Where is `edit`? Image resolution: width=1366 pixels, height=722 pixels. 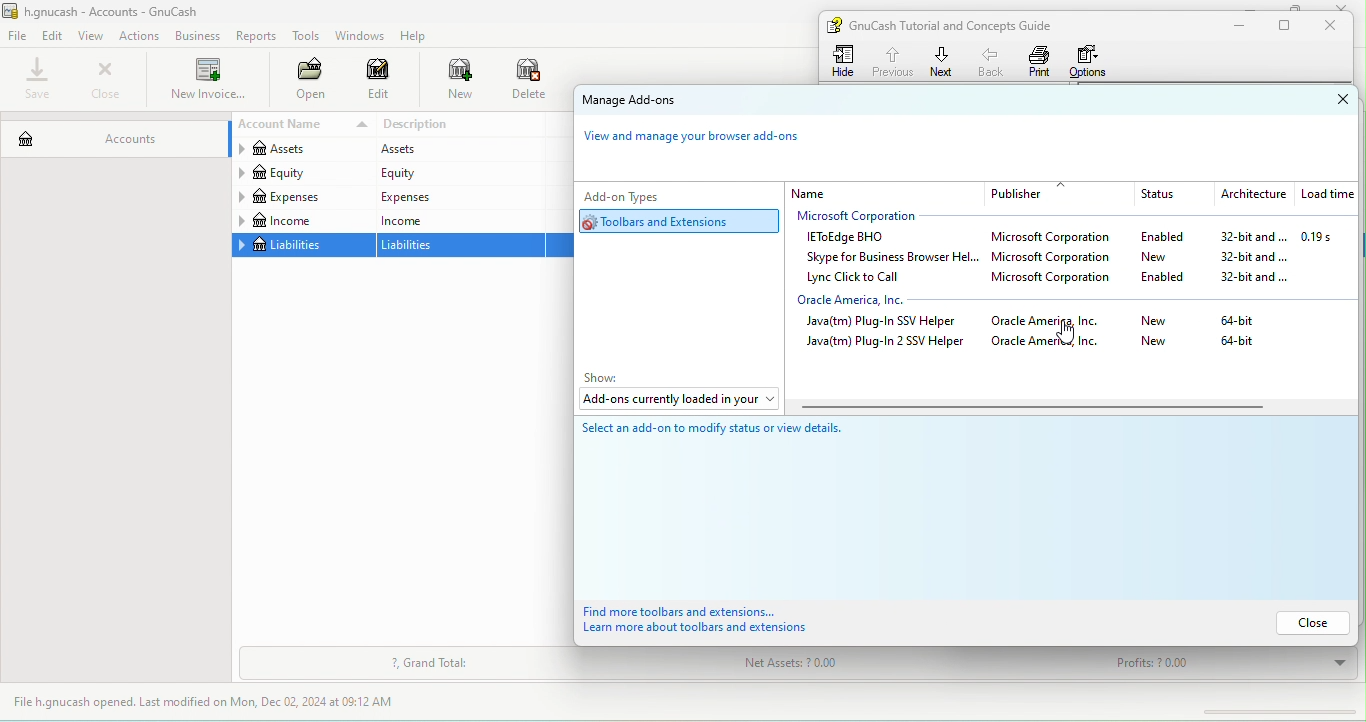 edit is located at coordinates (379, 82).